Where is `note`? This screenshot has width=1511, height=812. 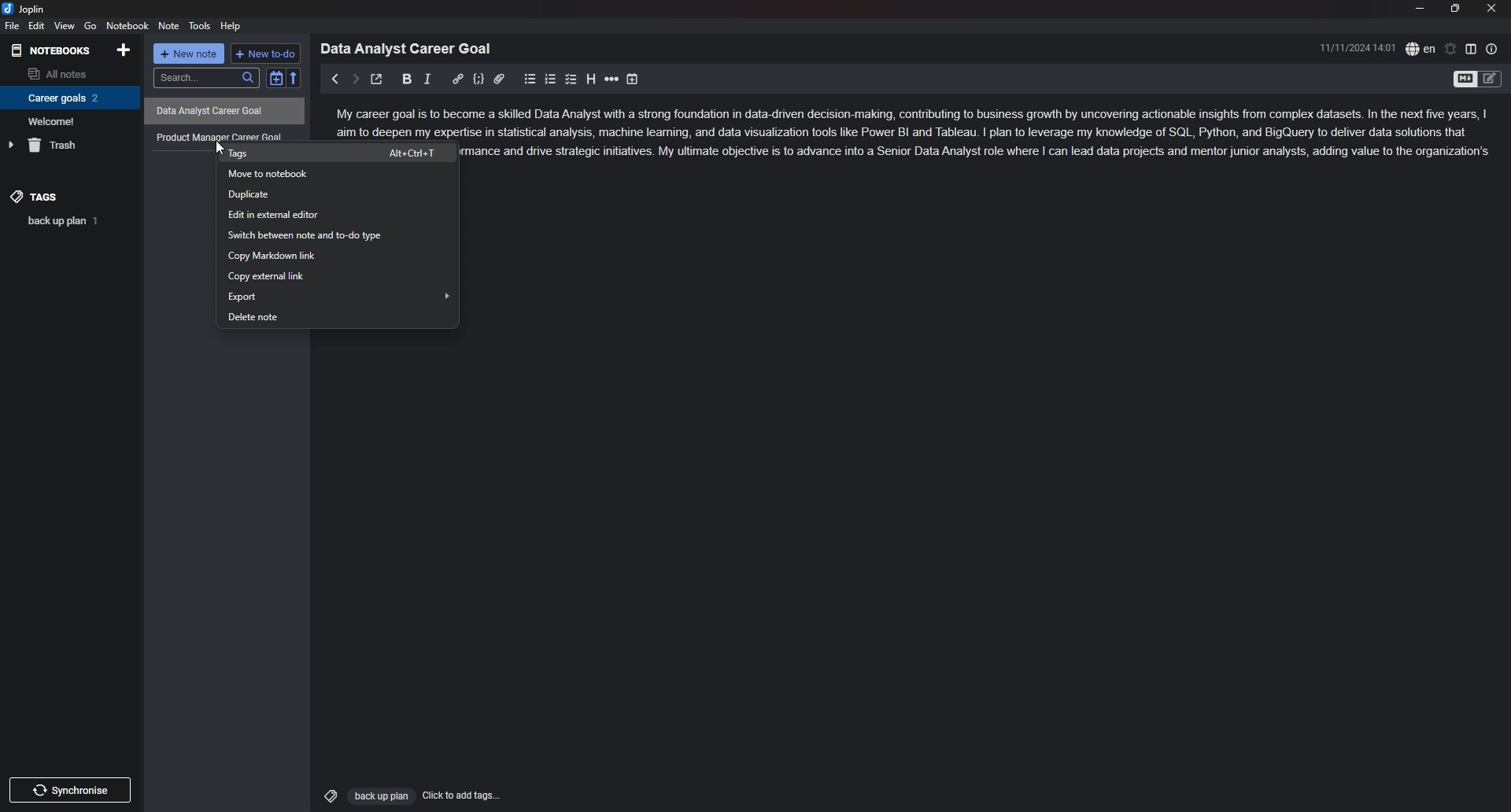
note is located at coordinates (170, 25).